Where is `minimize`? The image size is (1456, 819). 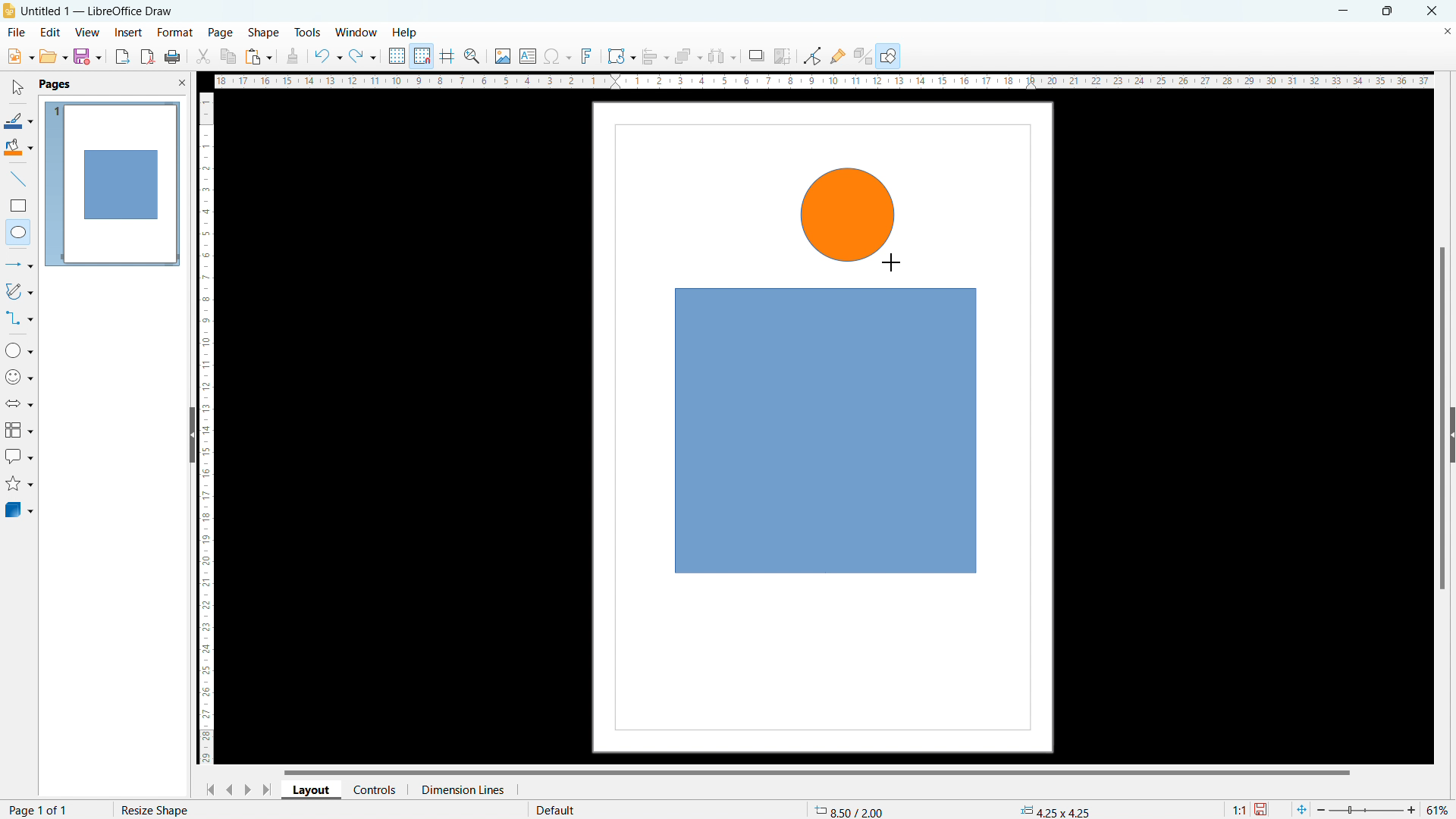
minimize is located at coordinates (1341, 10).